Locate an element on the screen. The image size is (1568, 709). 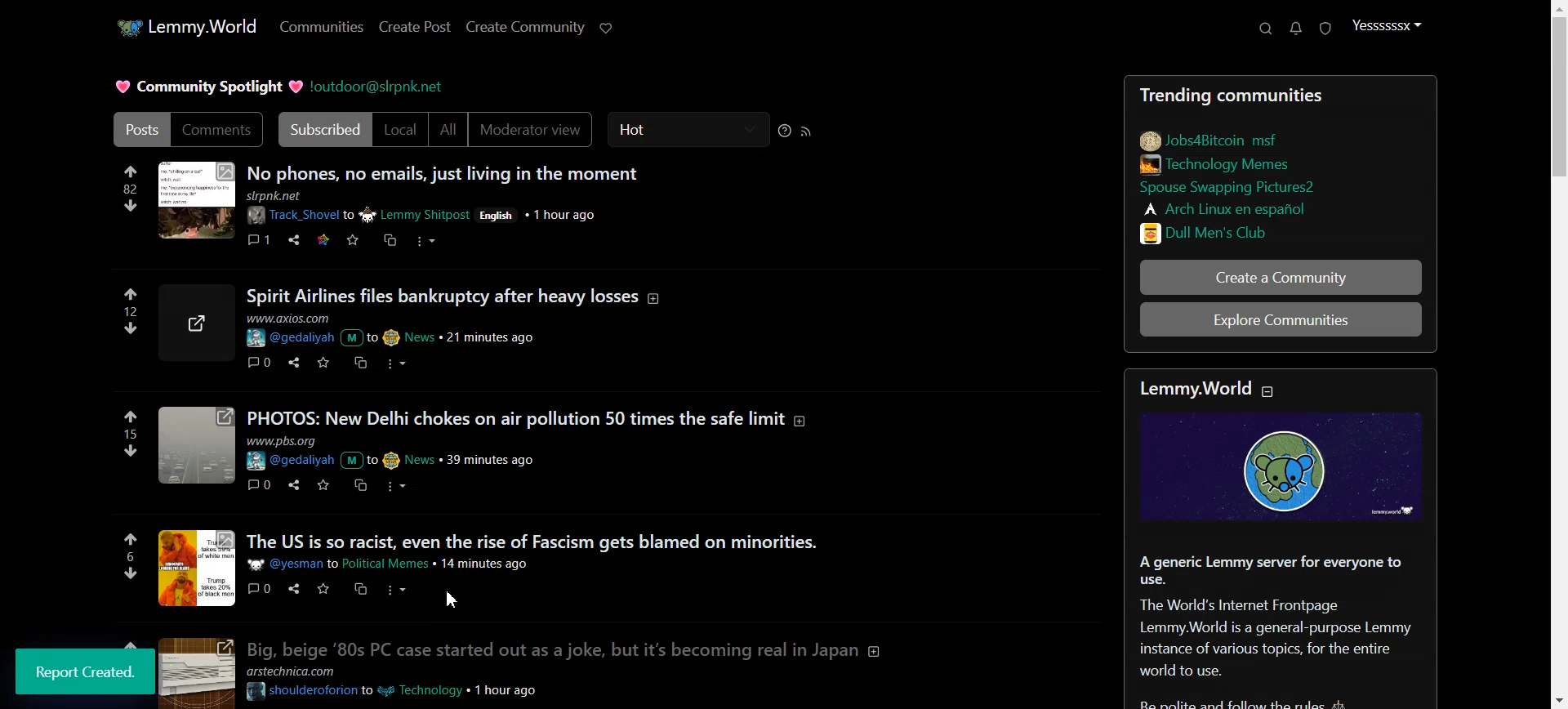
image is located at coordinates (195, 448).